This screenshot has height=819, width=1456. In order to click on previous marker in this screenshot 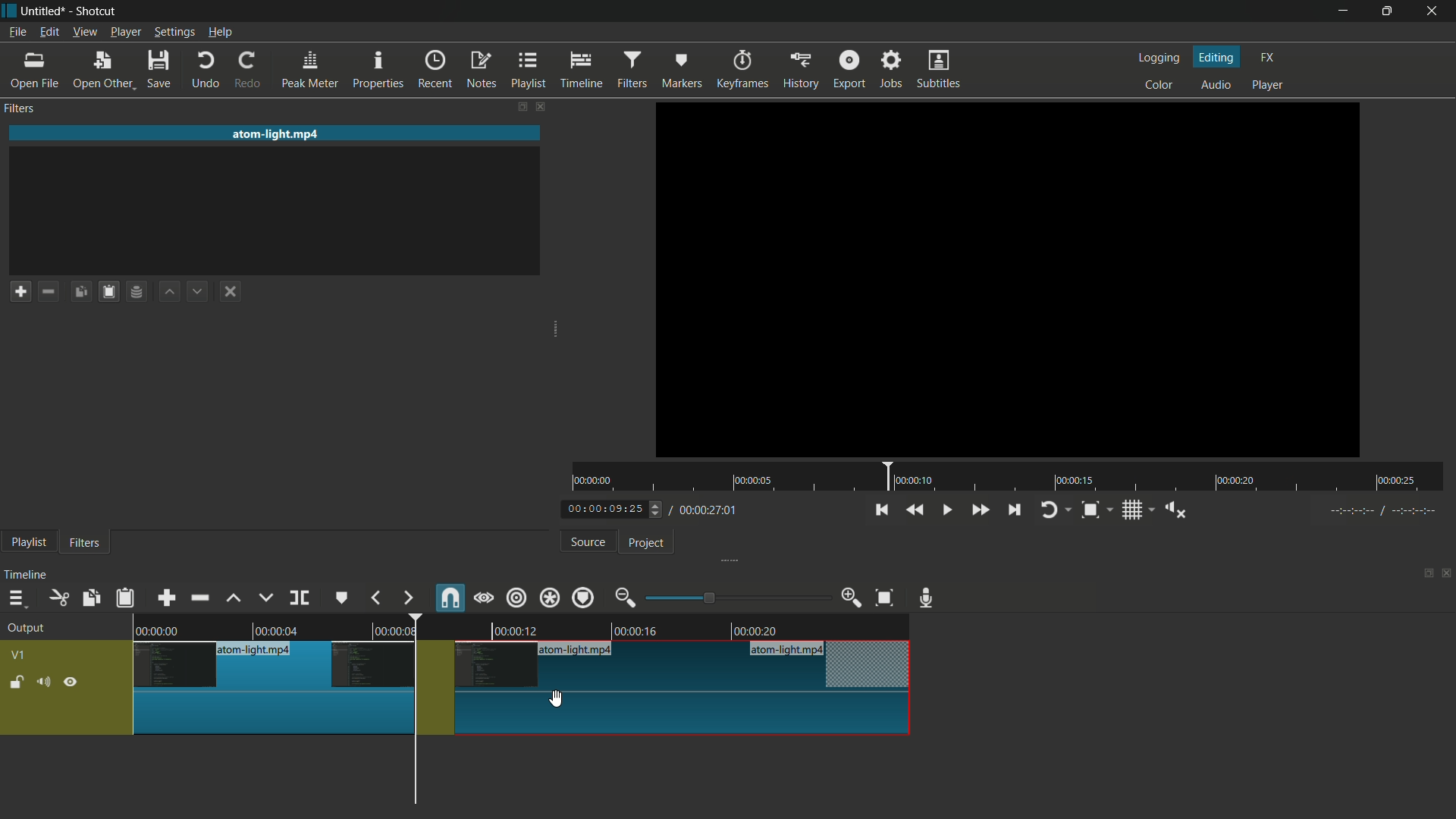, I will do `click(377, 598)`.